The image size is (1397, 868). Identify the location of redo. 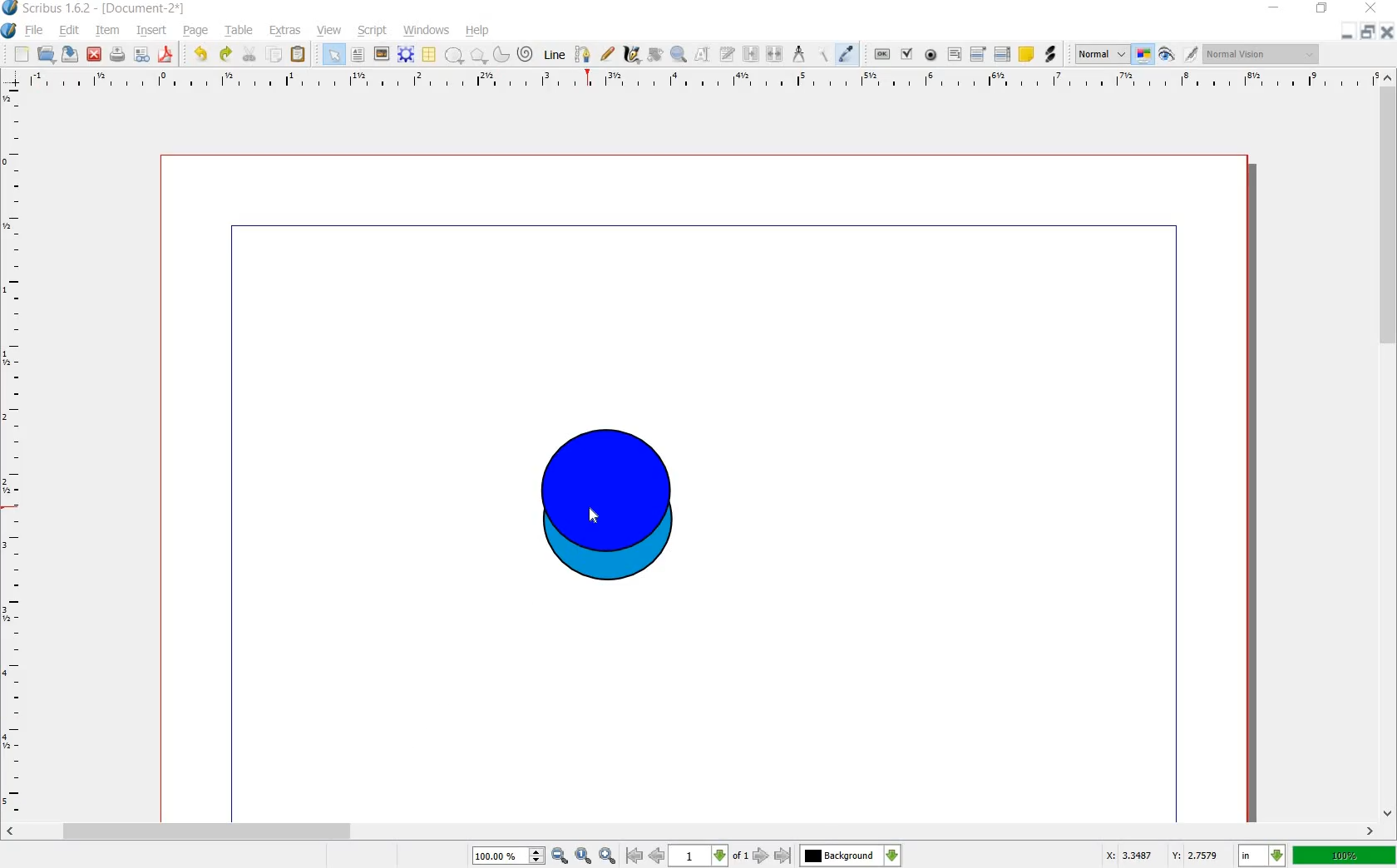
(225, 55).